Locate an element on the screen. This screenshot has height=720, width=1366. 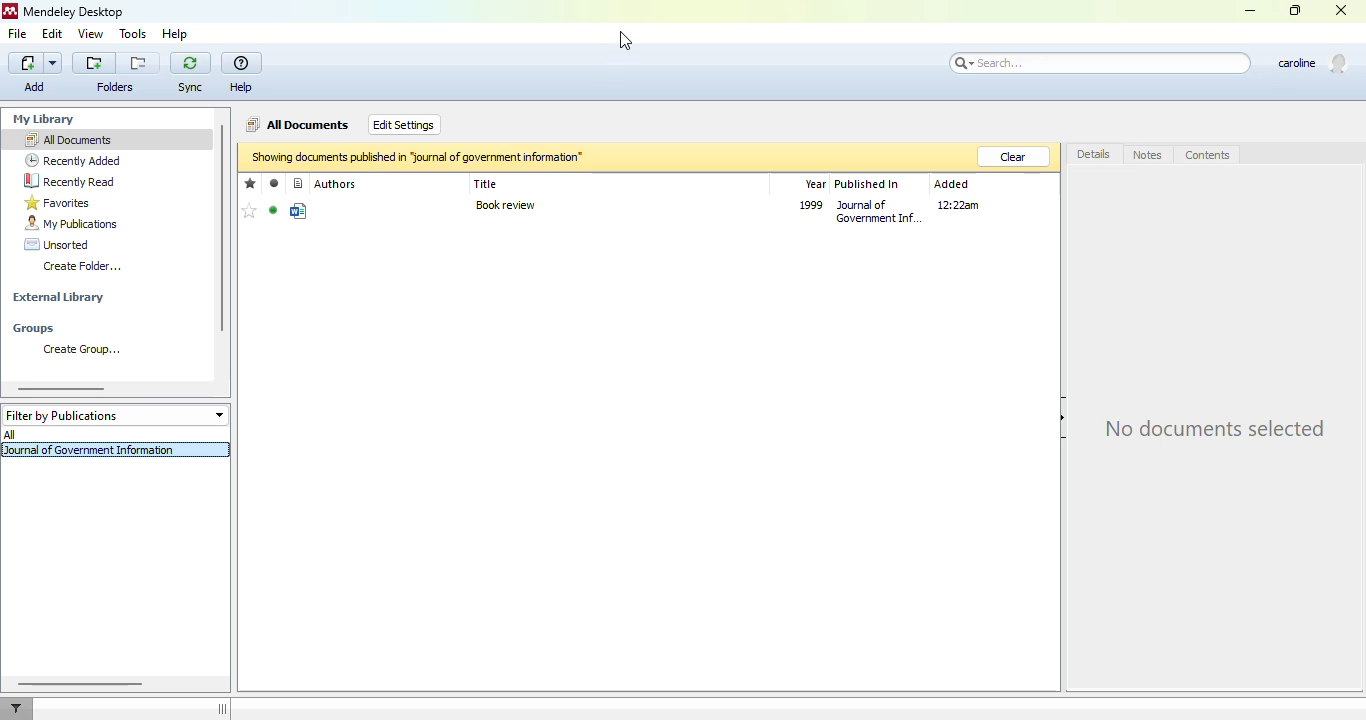
view is located at coordinates (92, 34).